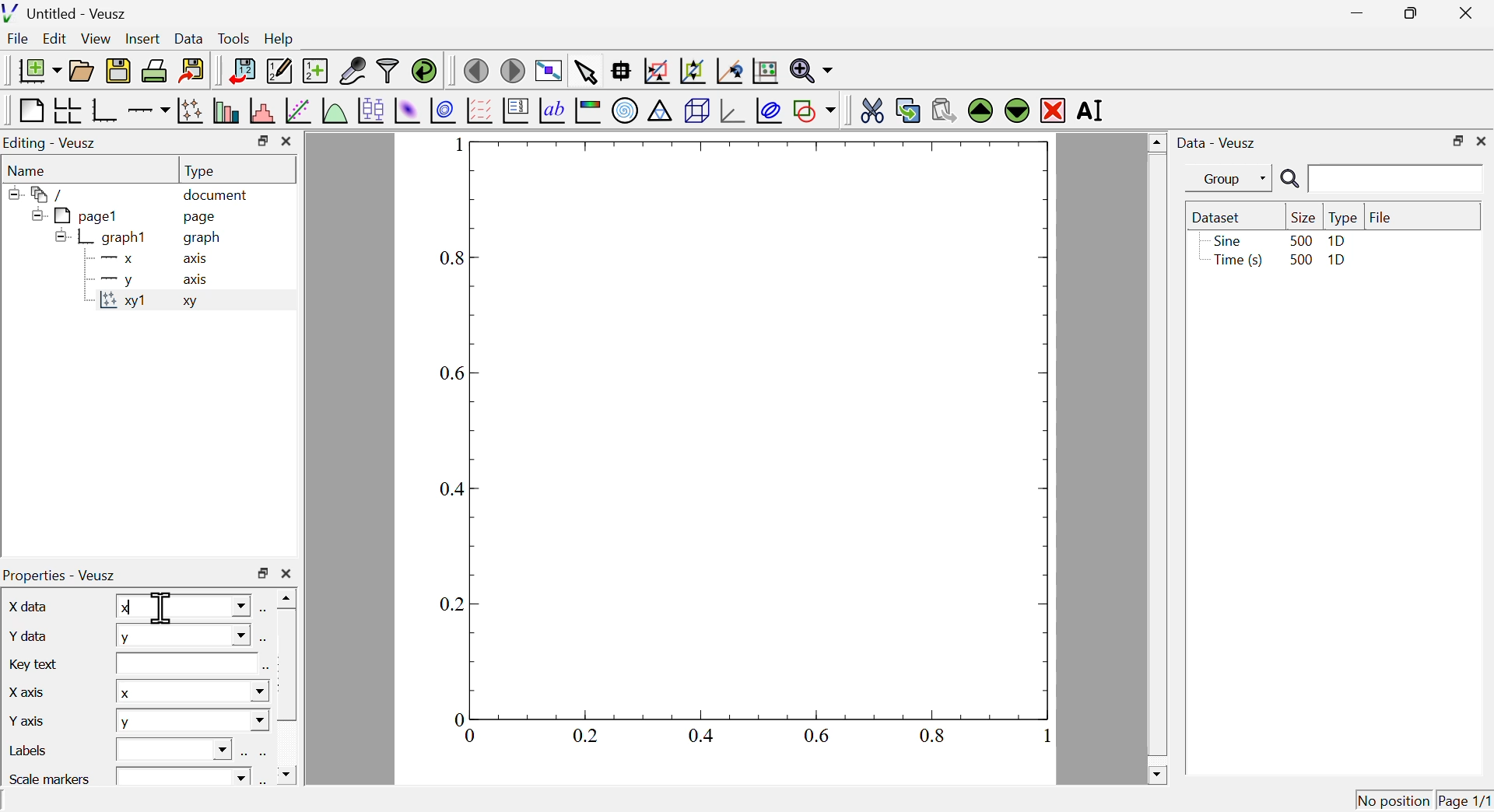  I want to click on image color bar, so click(589, 112).